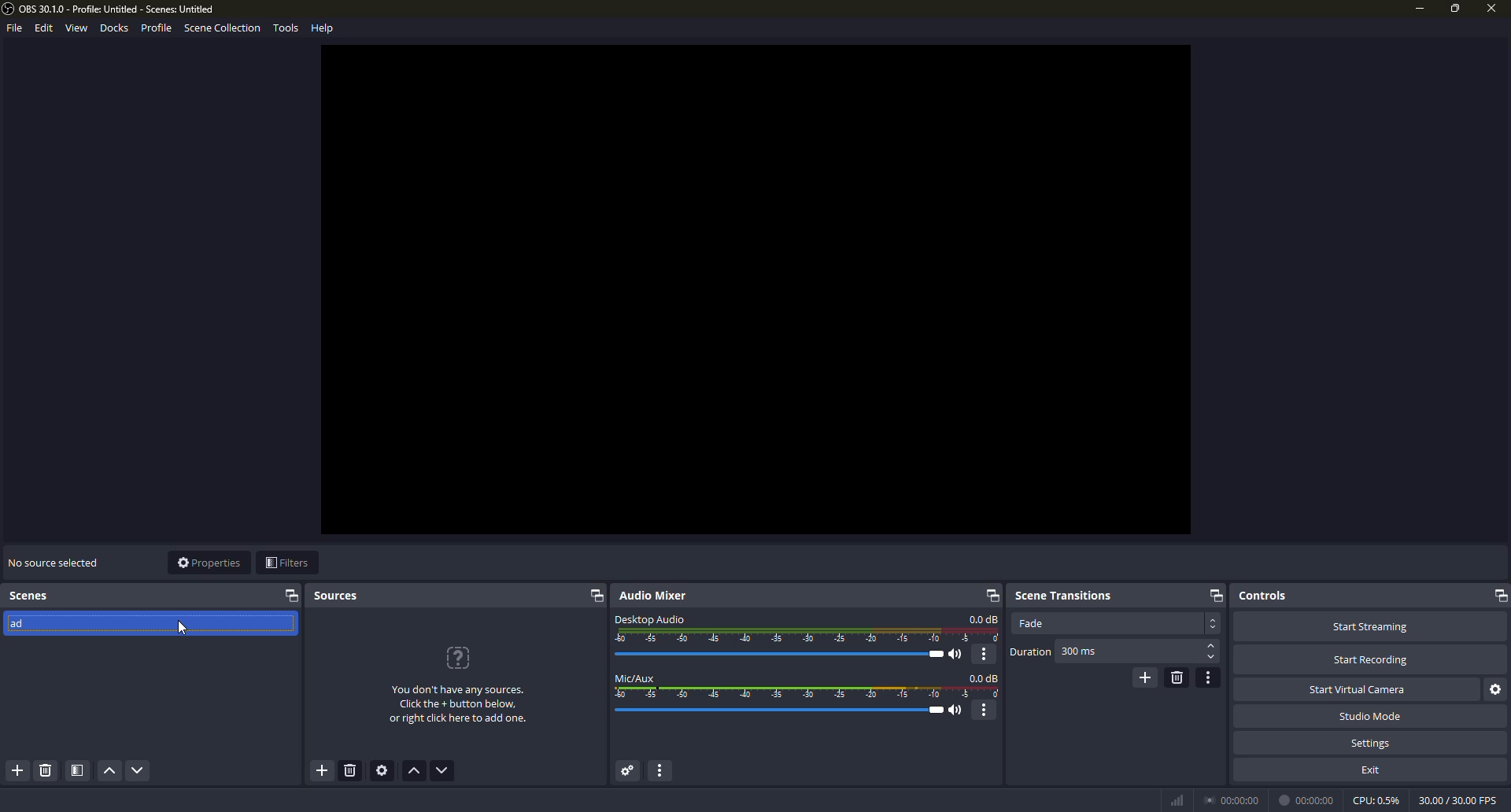 The width and height of the screenshot is (1511, 812). What do you see at coordinates (959, 655) in the screenshot?
I see `mute` at bounding box center [959, 655].